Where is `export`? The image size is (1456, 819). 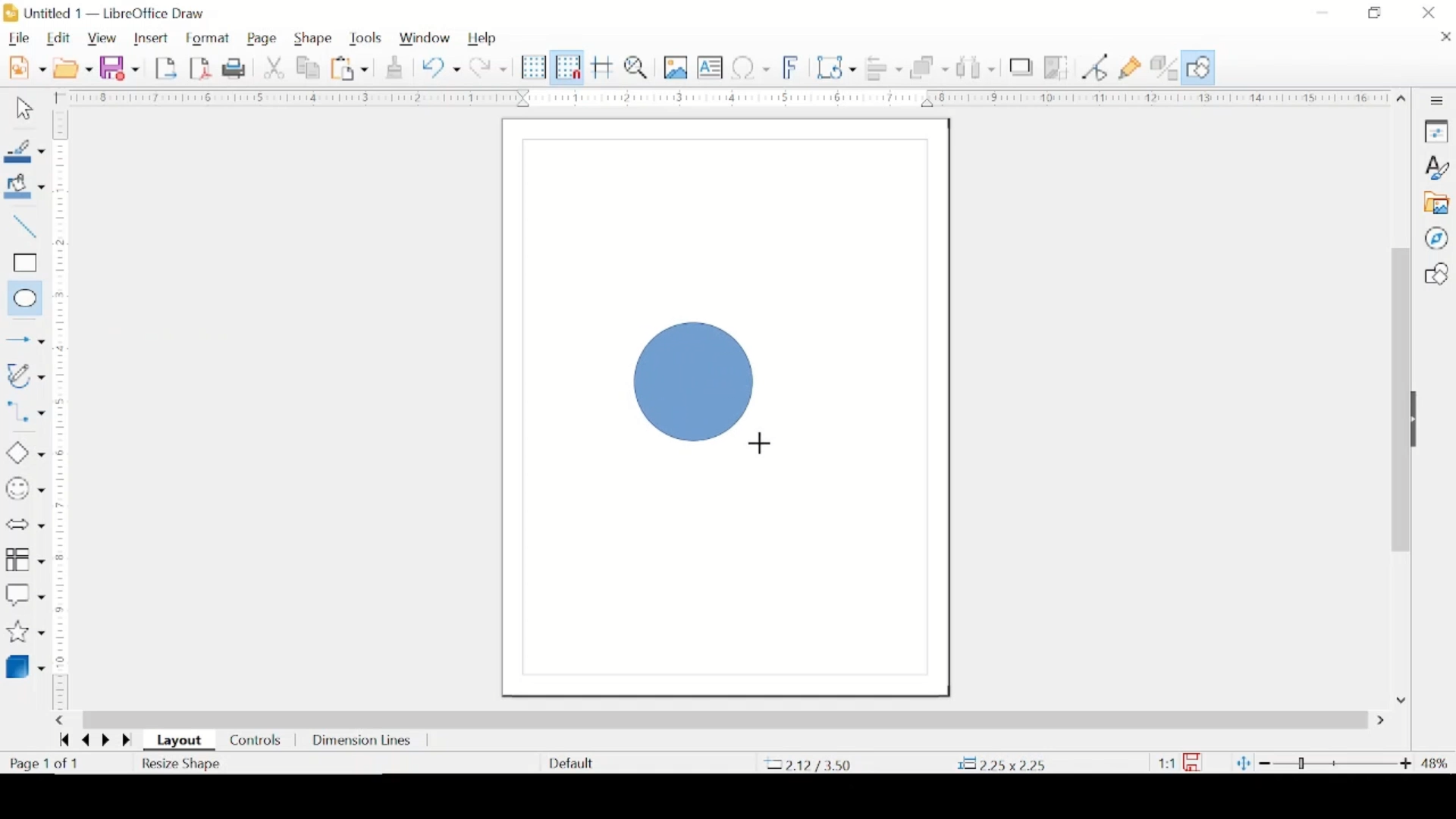
export is located at coordinates (168, 67).